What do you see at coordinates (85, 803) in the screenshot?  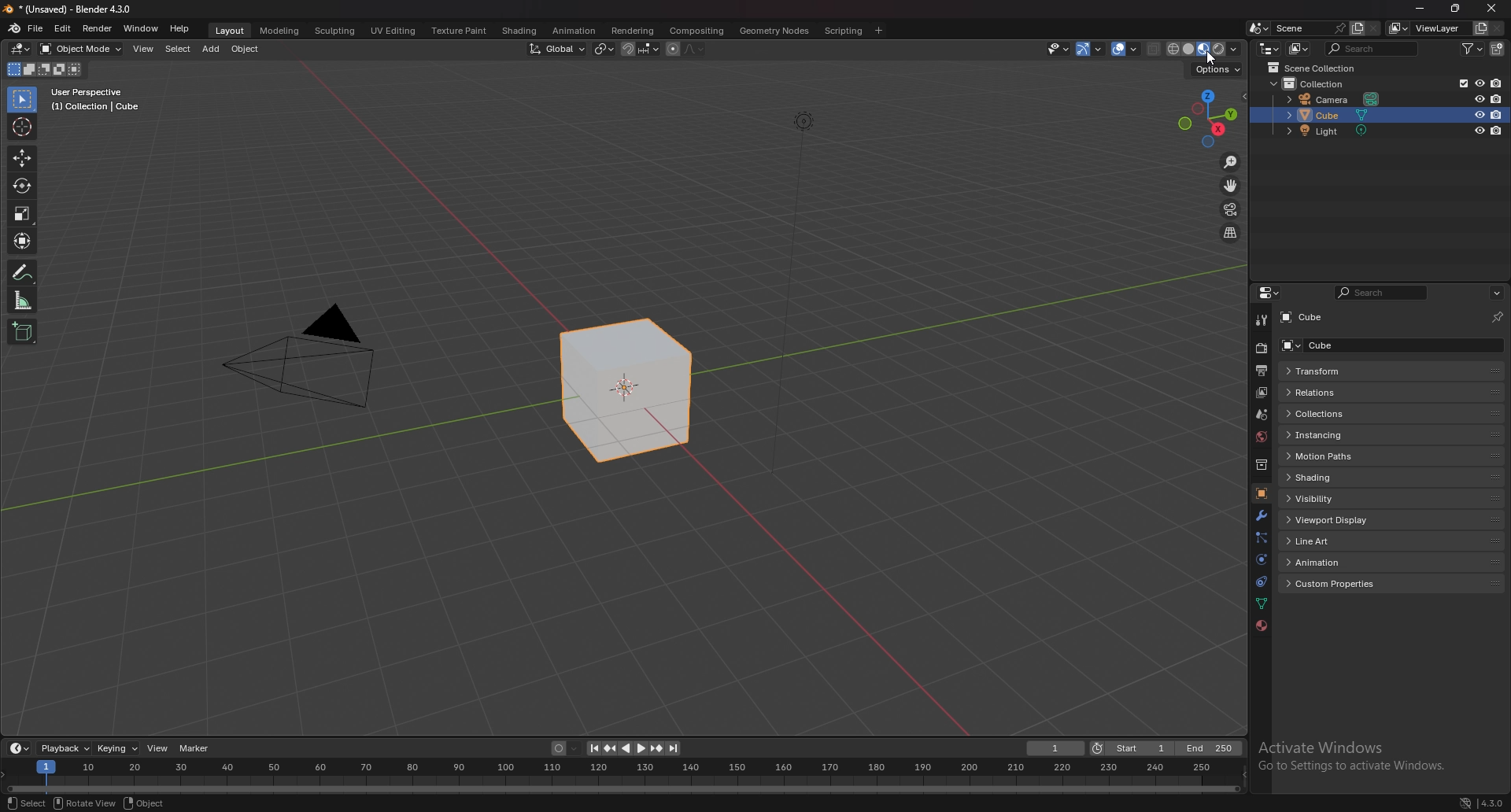 I see `rotate view` at bounding box center [85, 803].